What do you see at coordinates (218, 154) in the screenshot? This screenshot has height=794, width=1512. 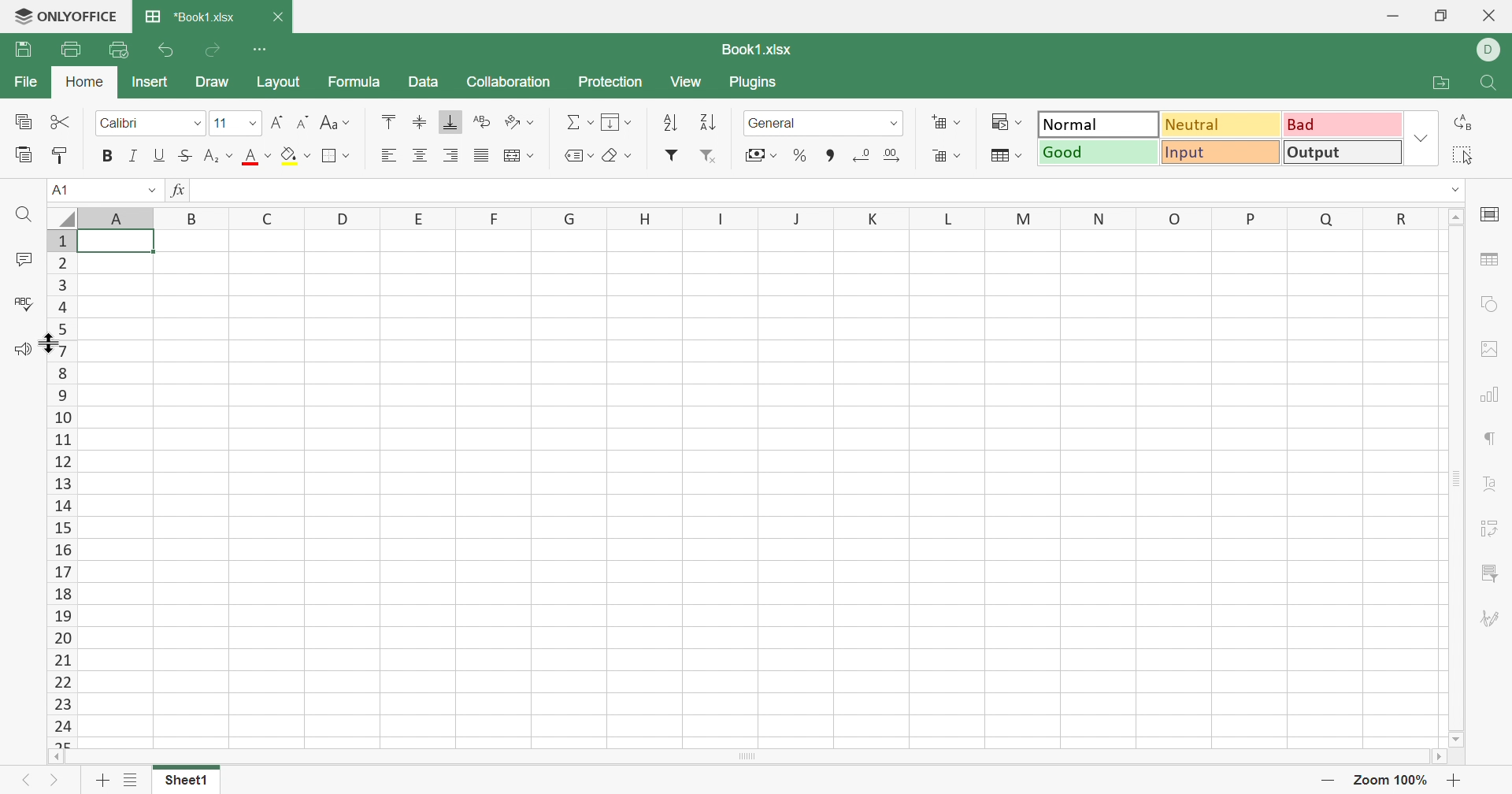 I see `Subscript/ Superscript` at bounding box center [218, 154].